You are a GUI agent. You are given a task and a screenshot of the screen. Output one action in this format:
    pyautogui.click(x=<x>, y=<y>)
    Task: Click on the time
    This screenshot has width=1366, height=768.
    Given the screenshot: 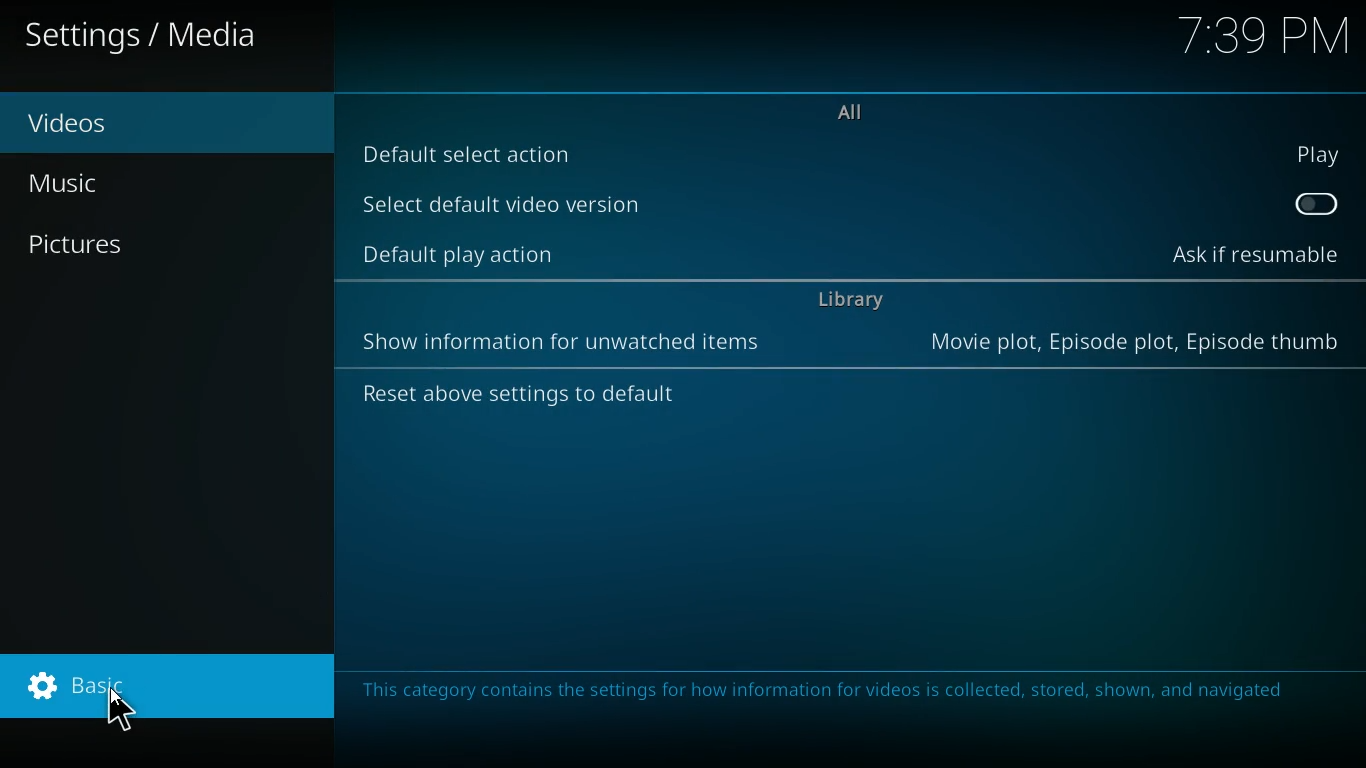 What is the action you would take?
    pyautogui.click(x=1258, y=38)
    